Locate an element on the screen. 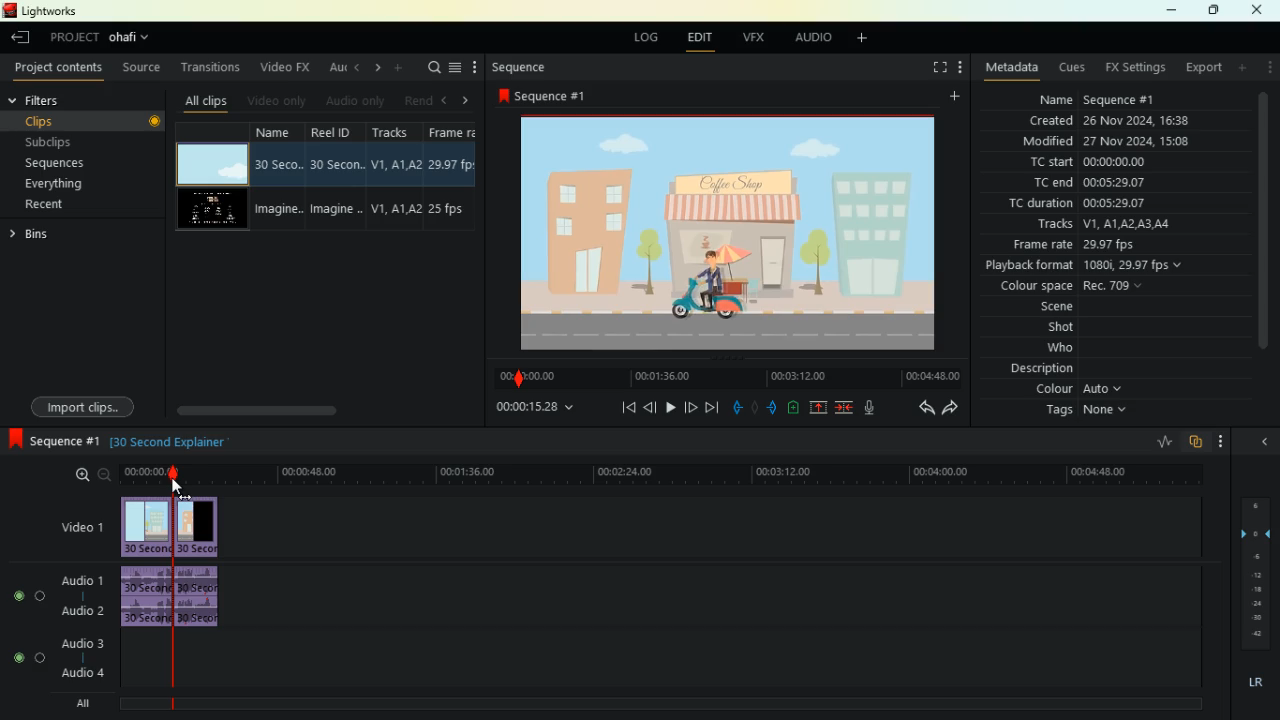 The height and width of the screenshot is (720, 1280). tc duration is located at coordinates (1042, 202).